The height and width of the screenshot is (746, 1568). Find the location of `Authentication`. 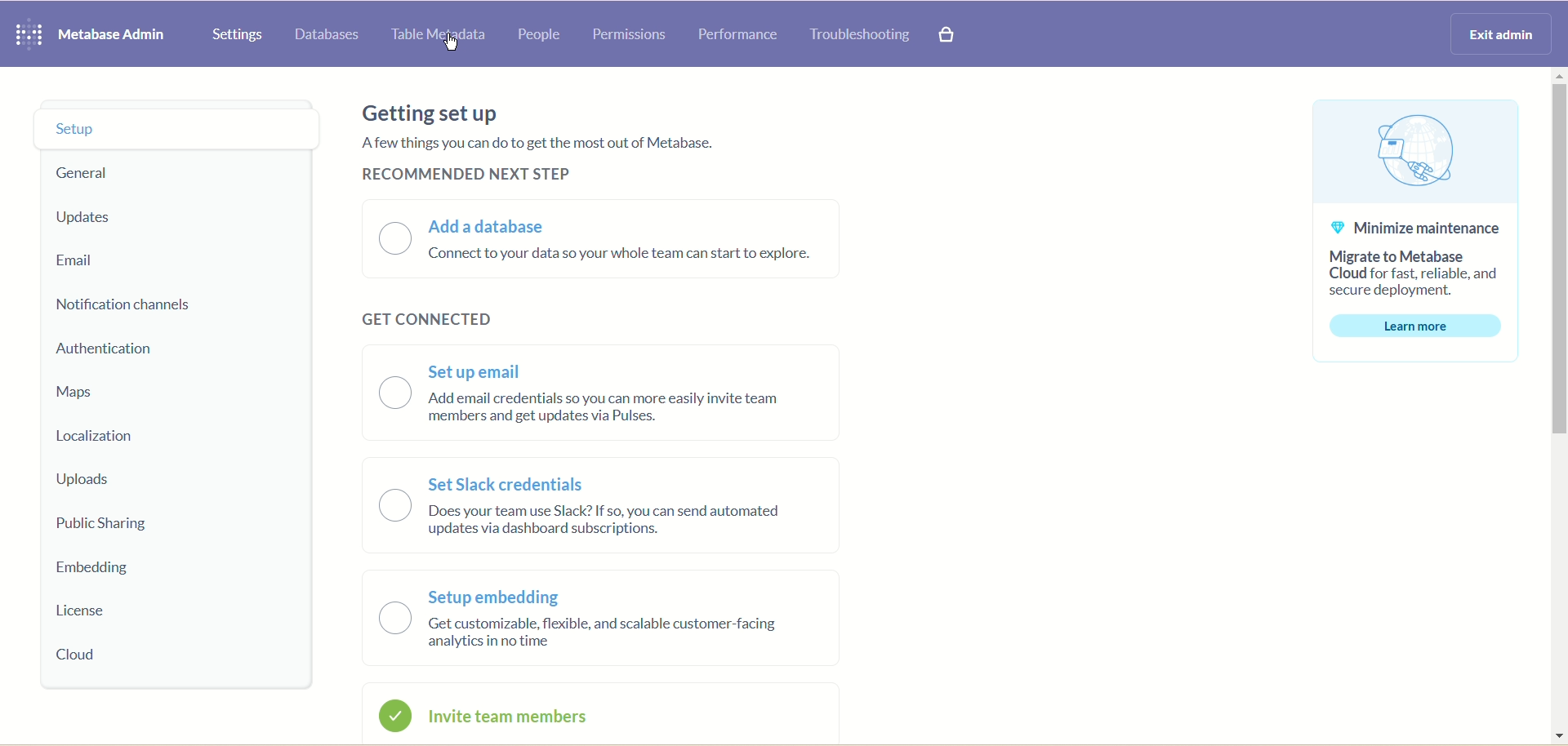

Authentication is located at coordinates (123, 351).